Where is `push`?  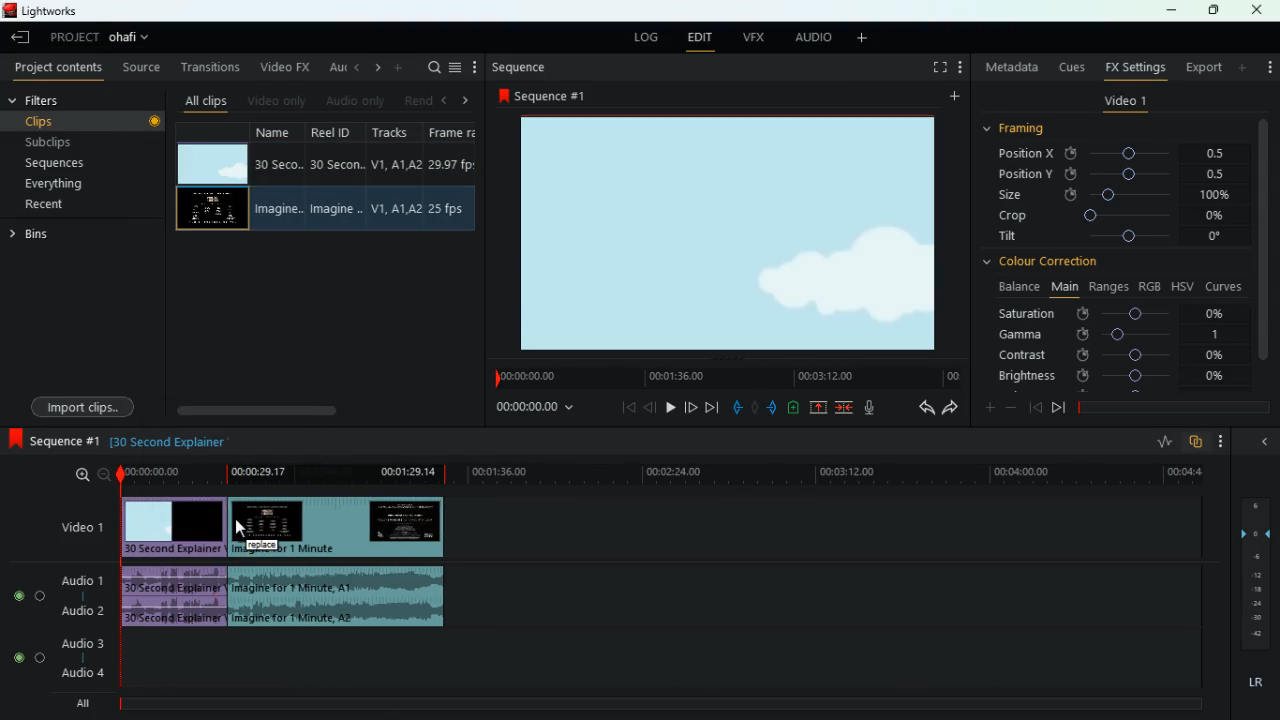 push is located at coordinates (774, 409).